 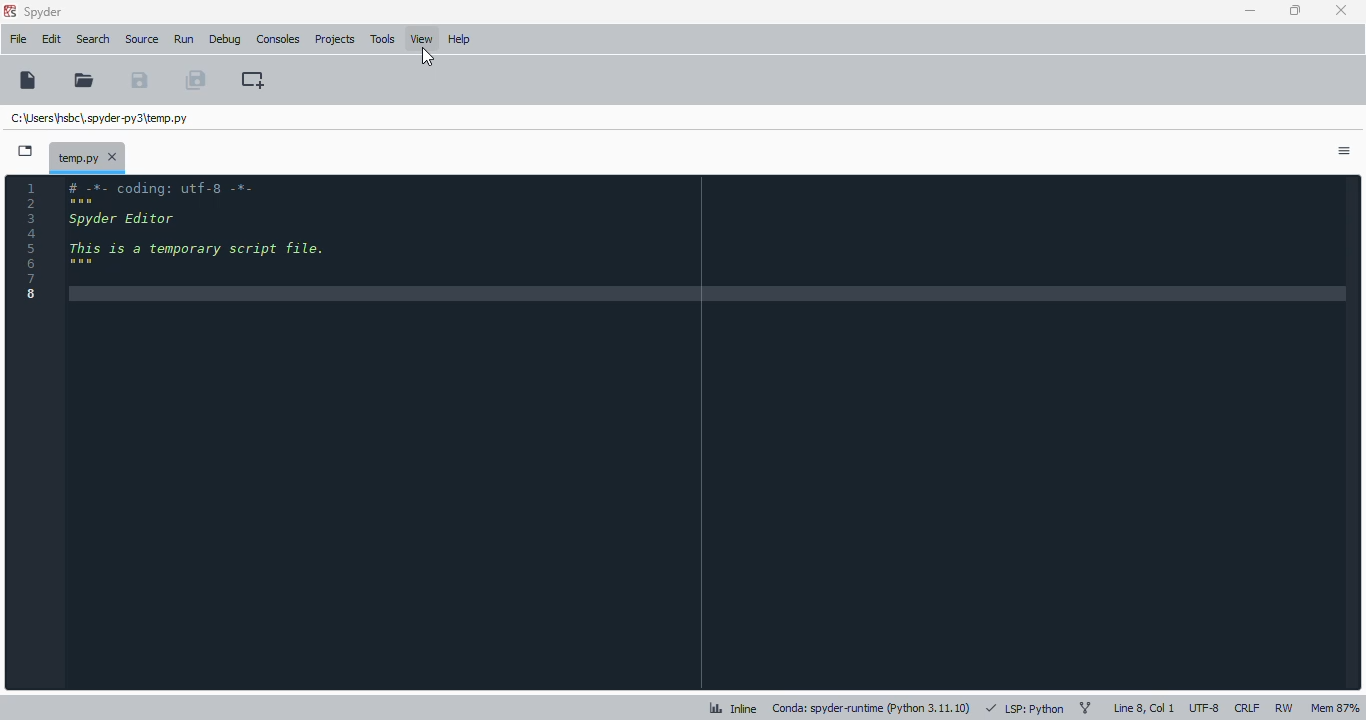 What do you see at coordinates (225, 39) in the screenshot?
I see `debug` at bounding box center [225, 39].